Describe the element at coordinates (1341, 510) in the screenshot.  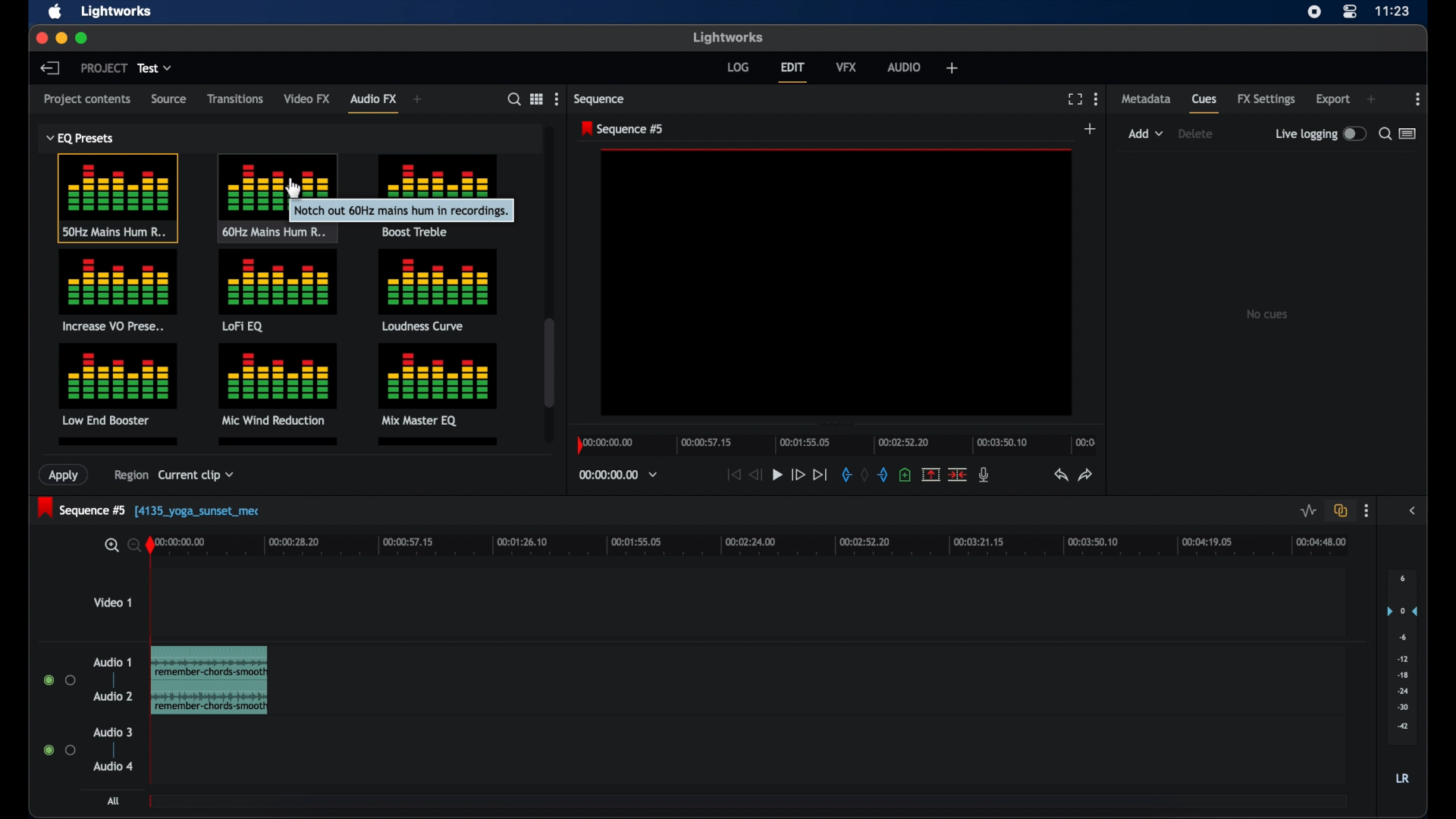
I see `toggle auto track sync` at that location.